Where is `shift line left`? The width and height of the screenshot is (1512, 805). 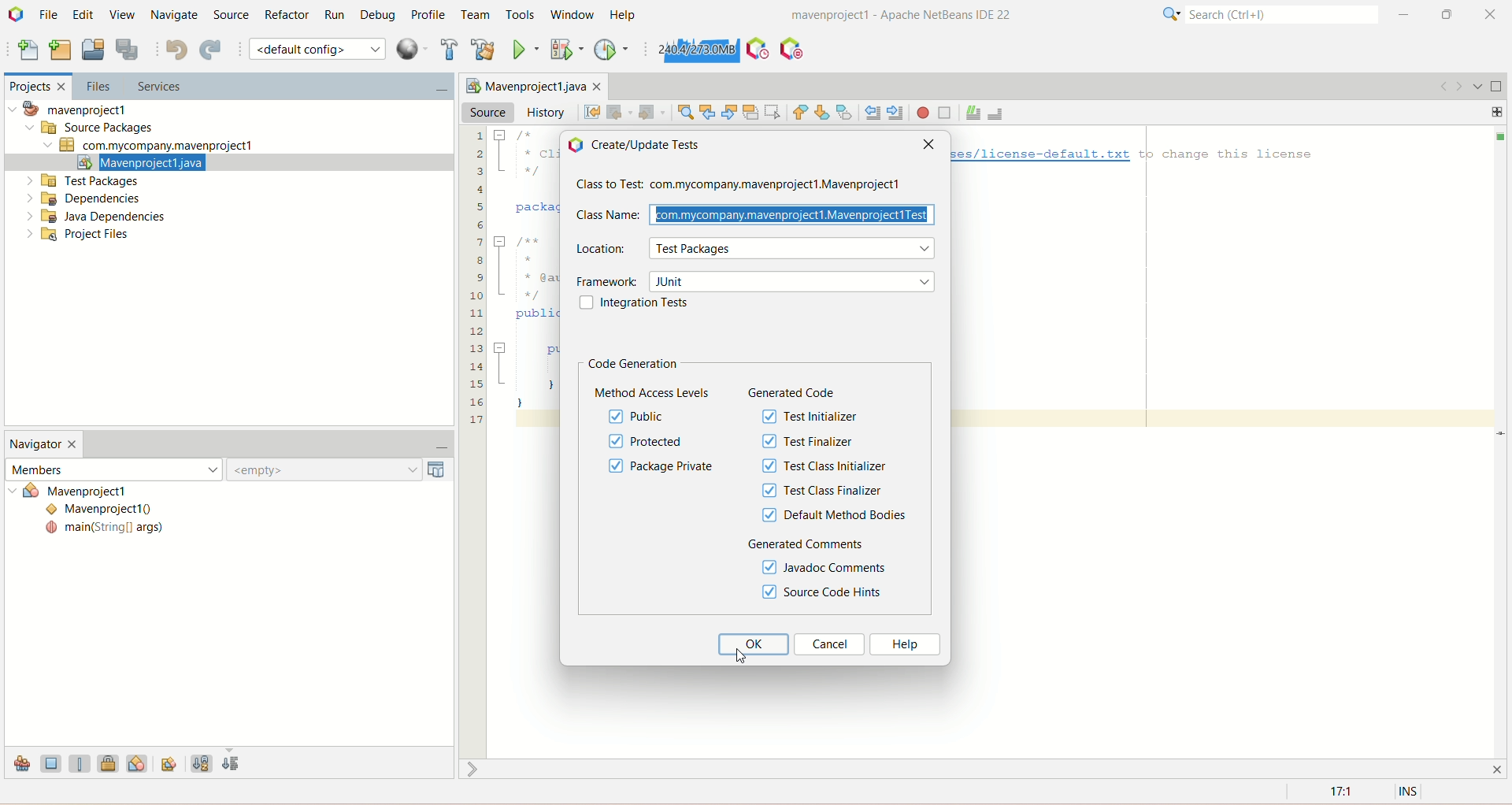
shift line left is located at coordinates (873, 113).